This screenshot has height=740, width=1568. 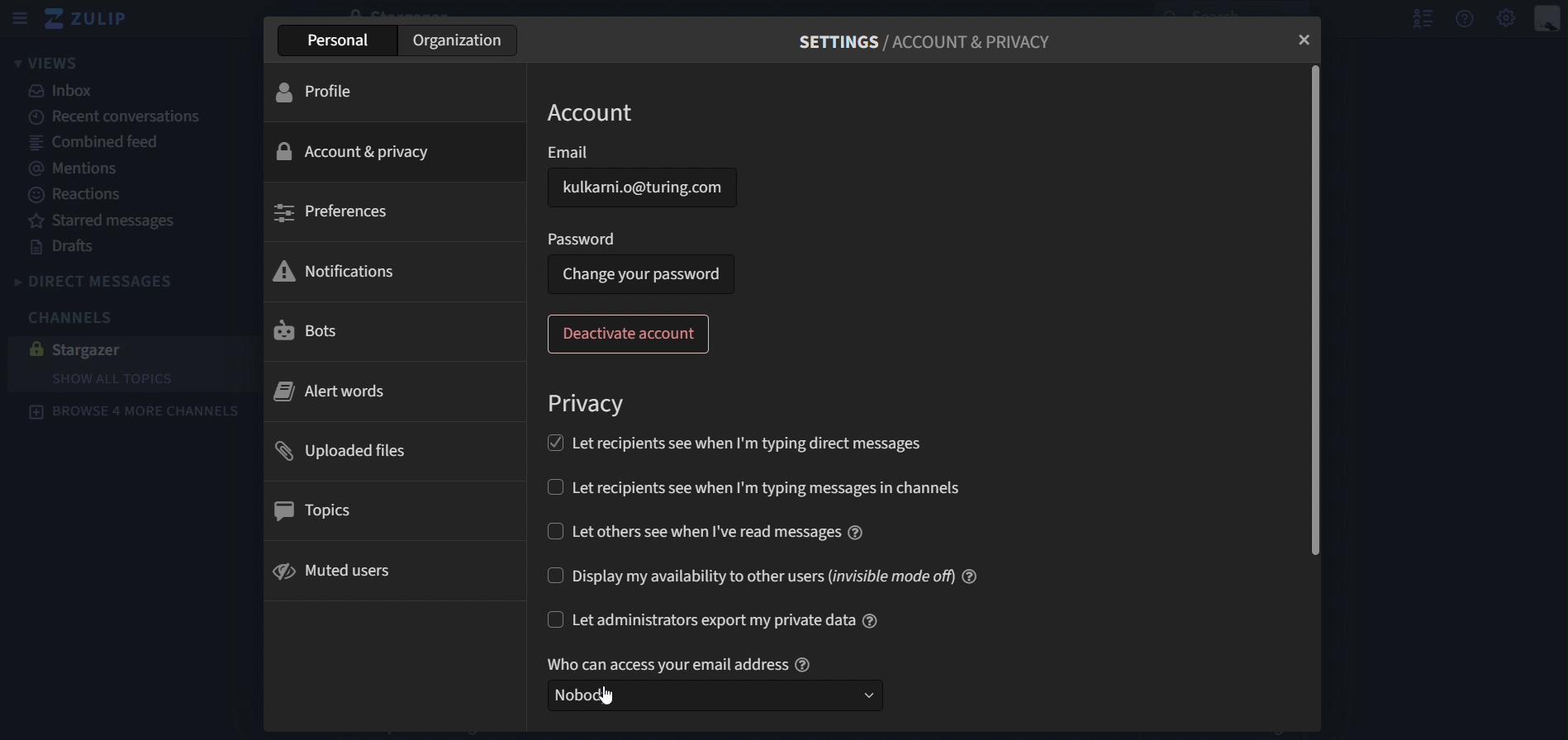 I want to click on notifications, so click(x=337, y=273).